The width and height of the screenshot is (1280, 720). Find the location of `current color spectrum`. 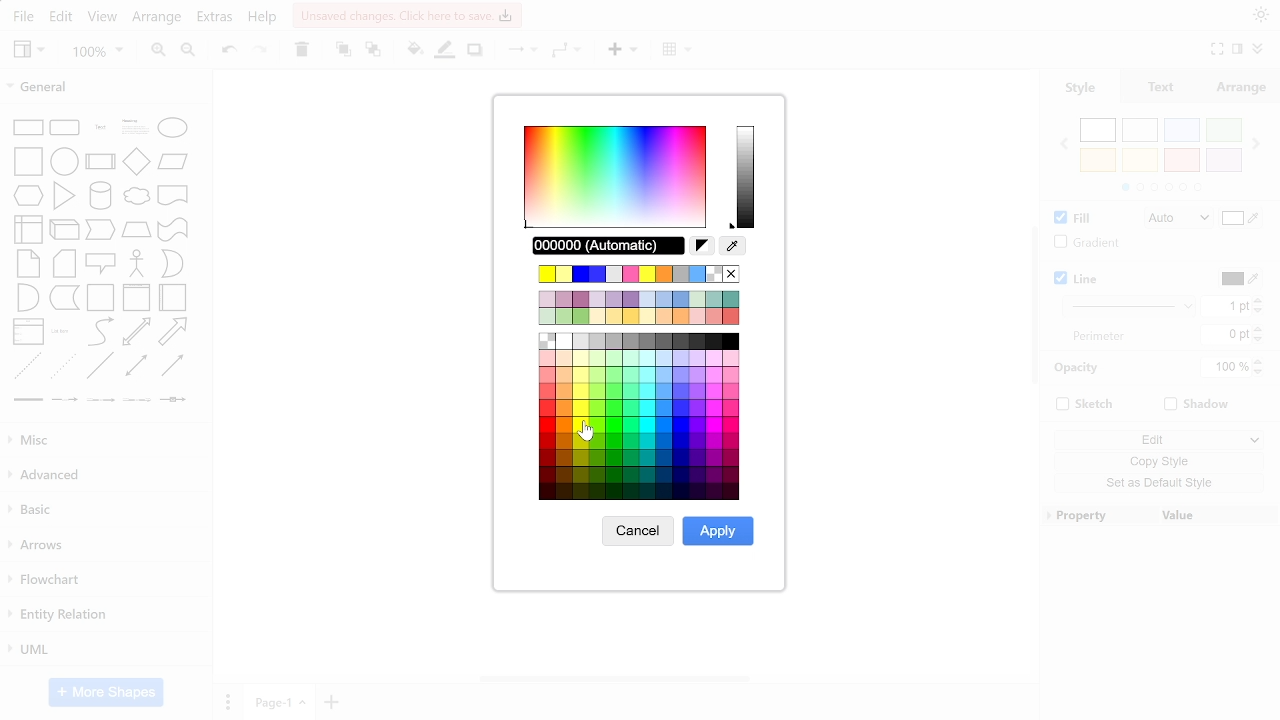

current color spectrum is located at coordinates (744, 176).